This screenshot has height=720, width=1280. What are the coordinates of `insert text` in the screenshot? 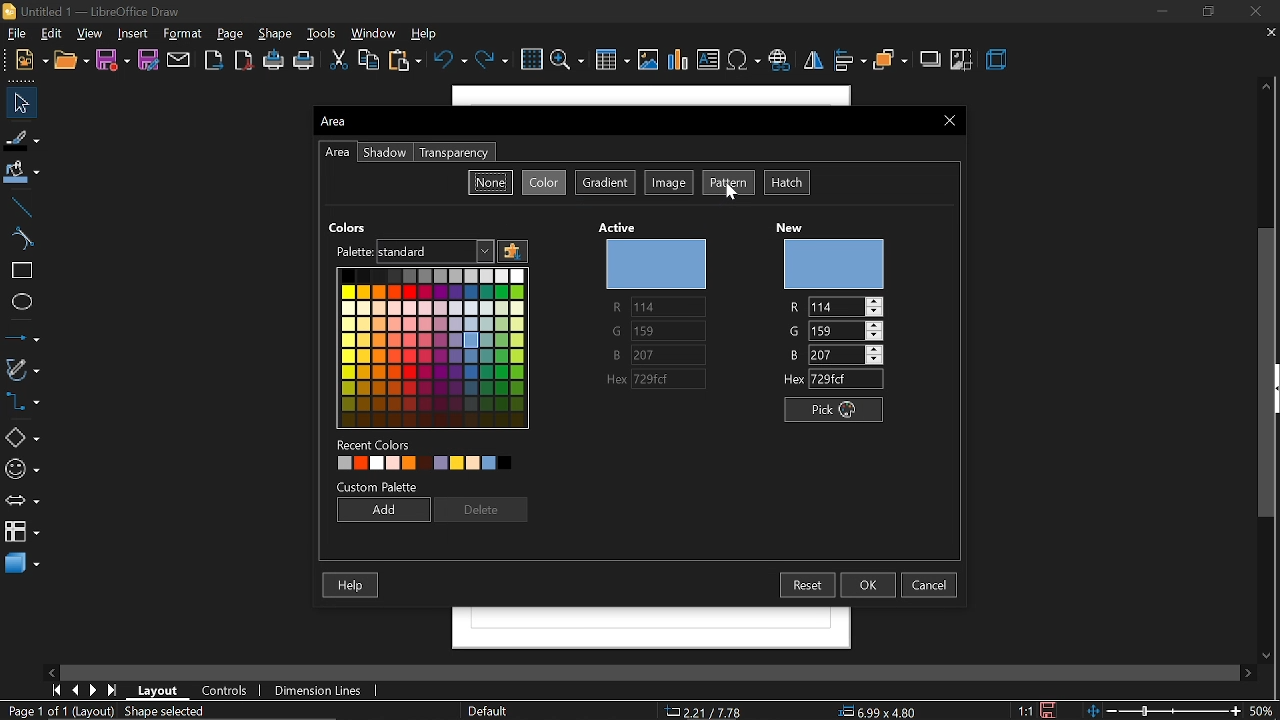 It's located at (708, 60).